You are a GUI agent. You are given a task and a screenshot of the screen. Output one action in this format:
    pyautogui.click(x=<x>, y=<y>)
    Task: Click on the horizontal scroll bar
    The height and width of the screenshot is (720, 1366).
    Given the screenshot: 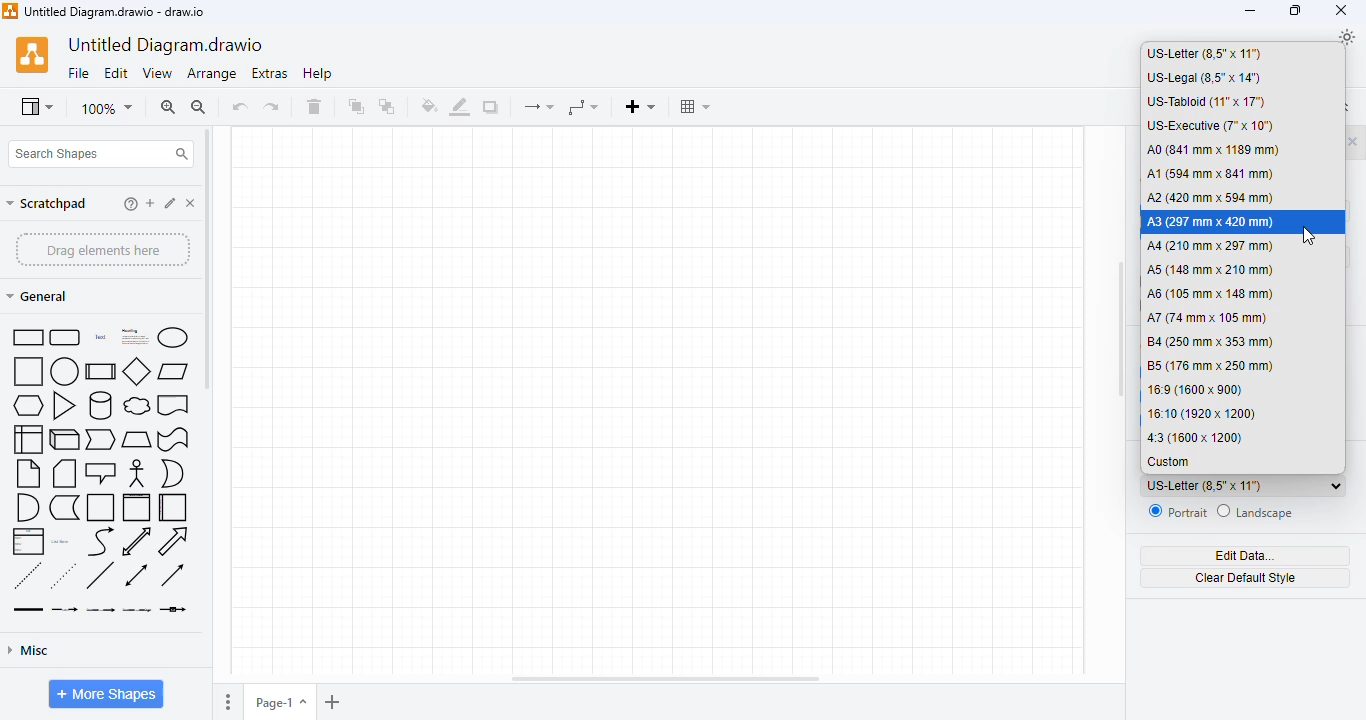 What is the action you would take?
    pyautogui.click(x=666, y=679)
    